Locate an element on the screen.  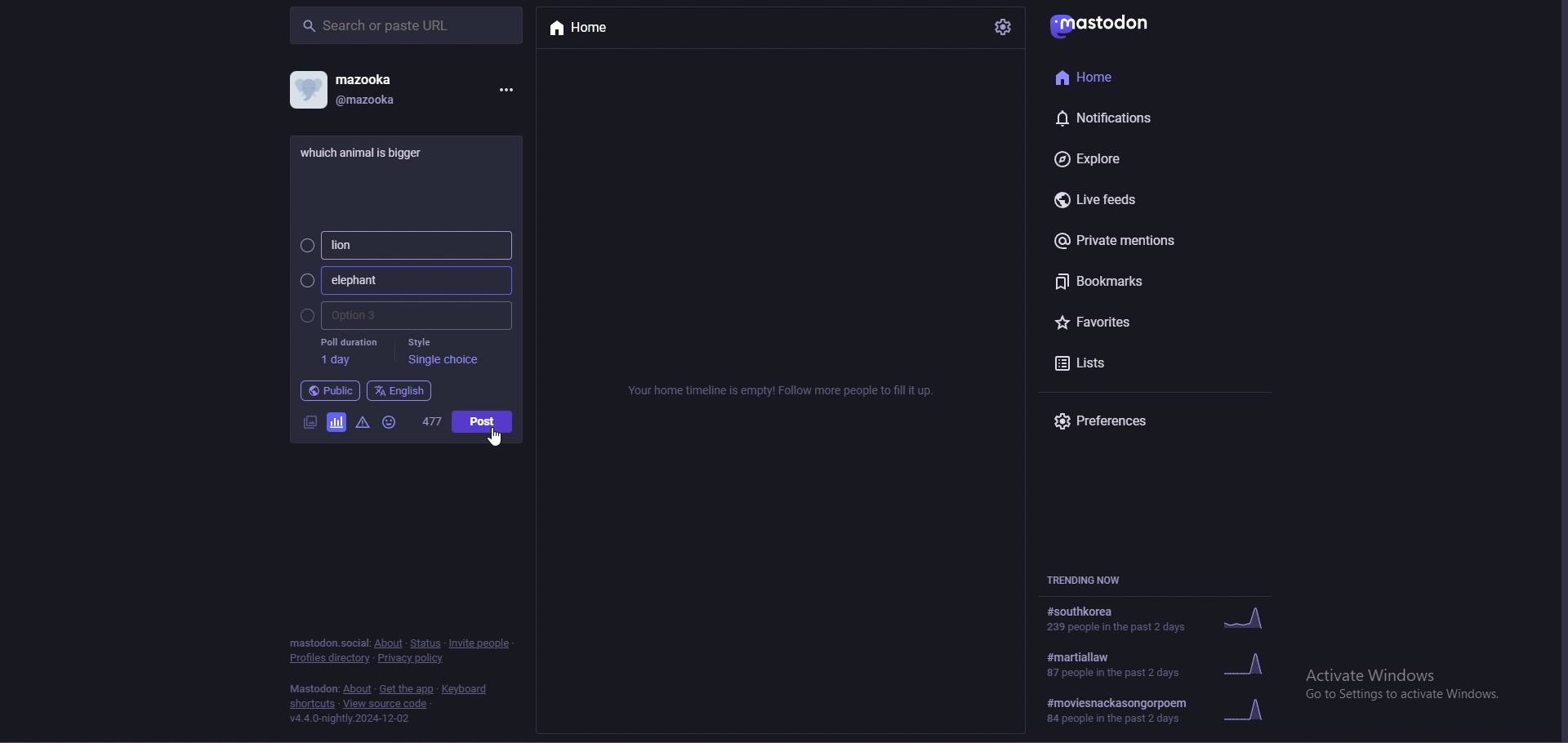
poll duration is located at coordinates (347, 352).